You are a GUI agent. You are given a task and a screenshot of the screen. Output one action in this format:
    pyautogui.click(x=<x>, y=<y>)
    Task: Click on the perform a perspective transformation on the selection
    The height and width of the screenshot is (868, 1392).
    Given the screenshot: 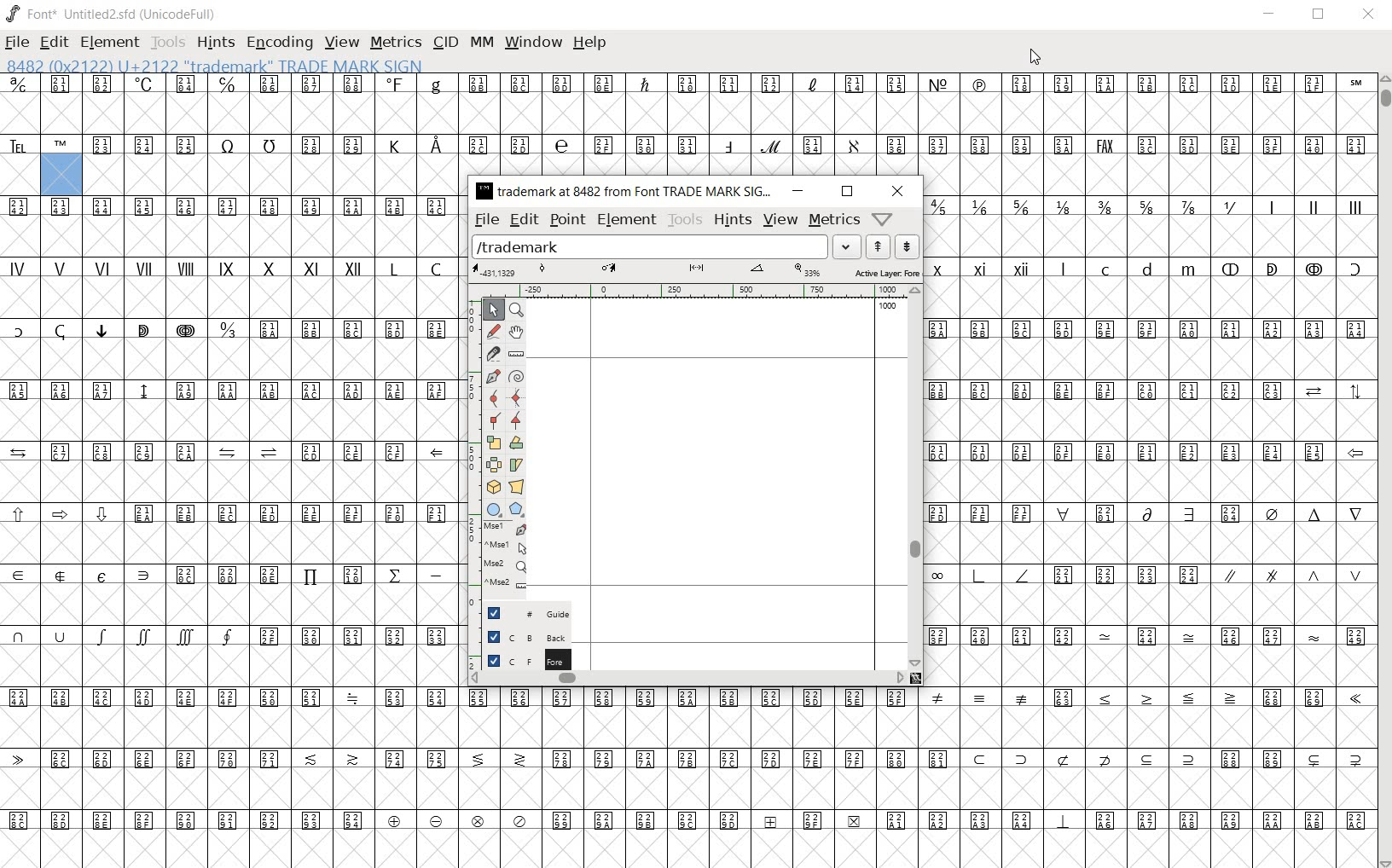 What is the action you would take?
    pyautogui.click(x=515, y=485)
    